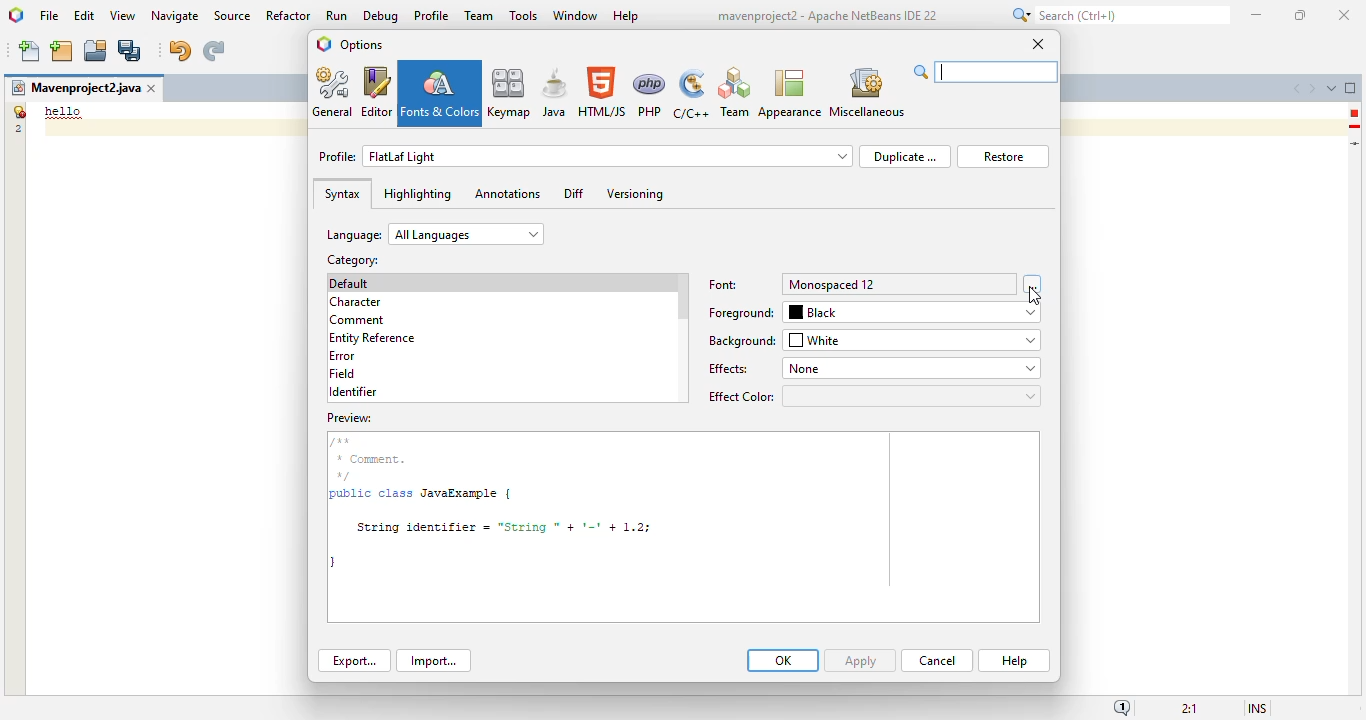  I want to click on view, so click(123, 16).